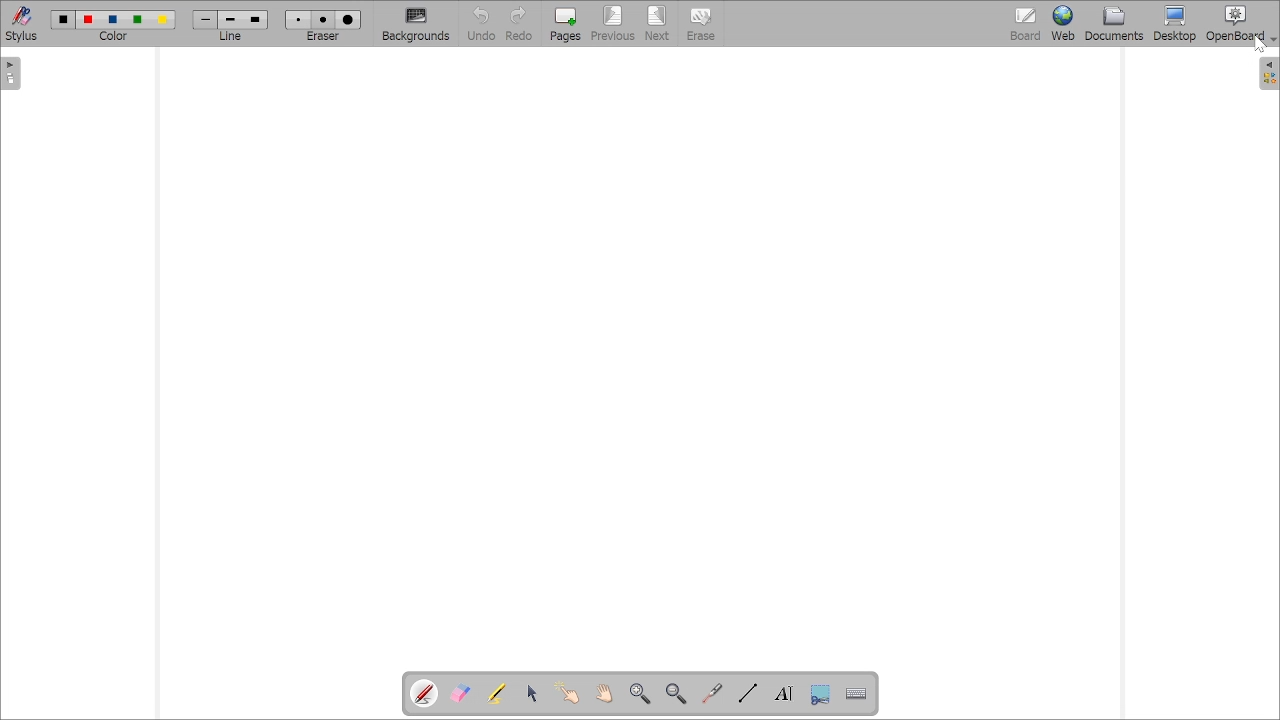 The image size is (1280, 720). I want to click on Write text, so click(782, 694).